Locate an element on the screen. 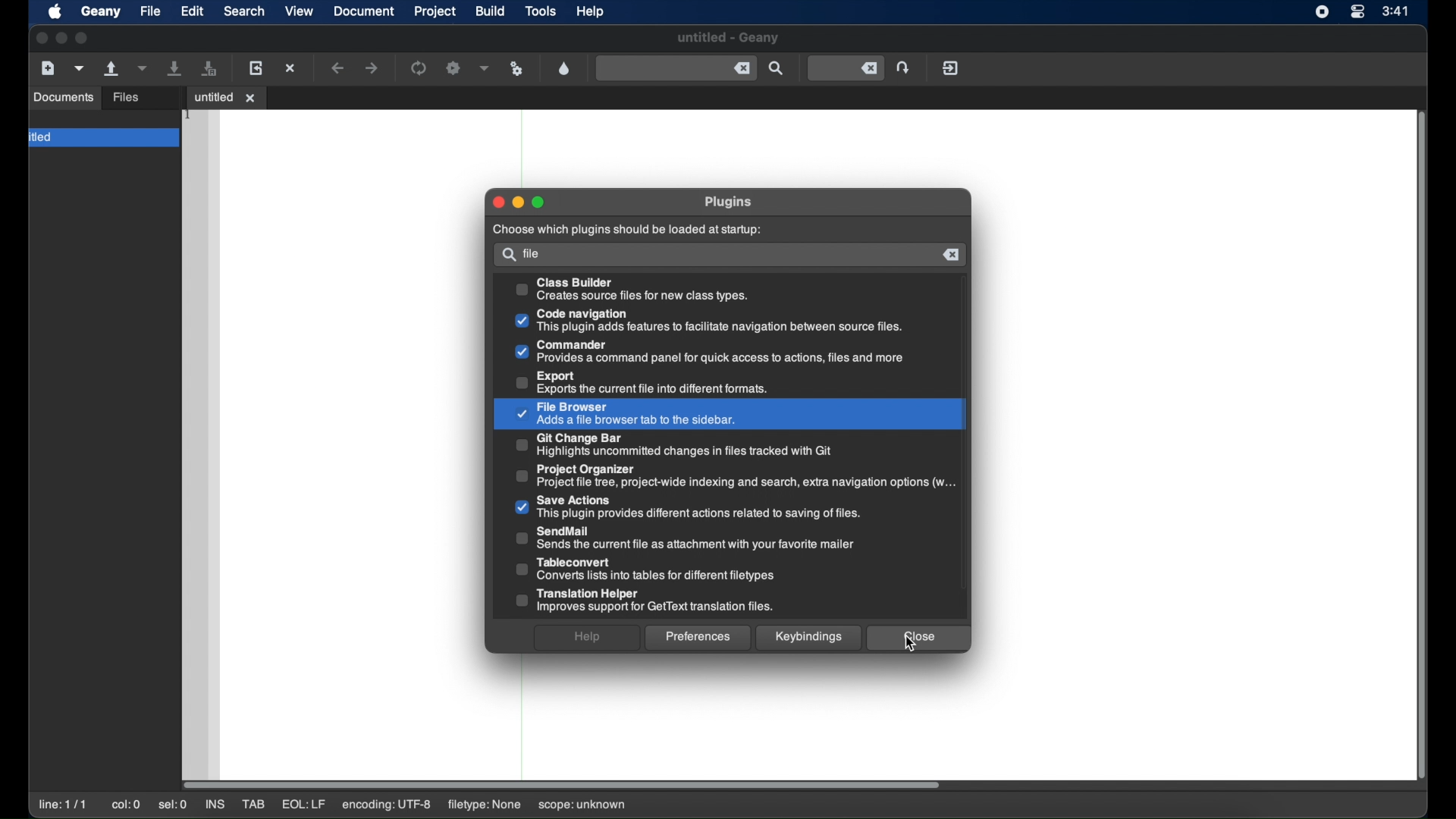 This screenshot has width=1456, height=819. documents is located at coordinates (121, 98).